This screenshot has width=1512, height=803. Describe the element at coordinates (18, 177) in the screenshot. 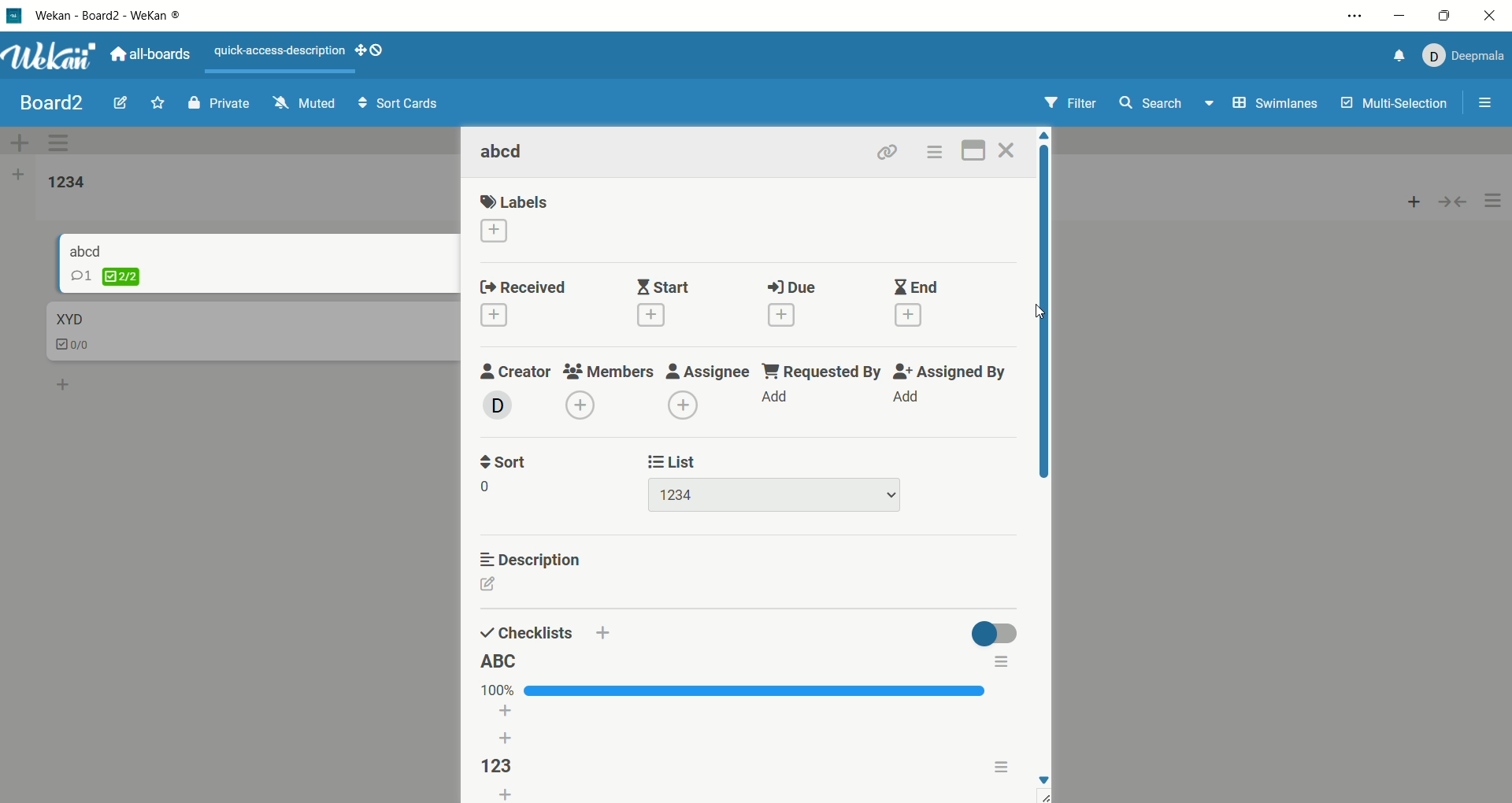

I see `add list` at that location.